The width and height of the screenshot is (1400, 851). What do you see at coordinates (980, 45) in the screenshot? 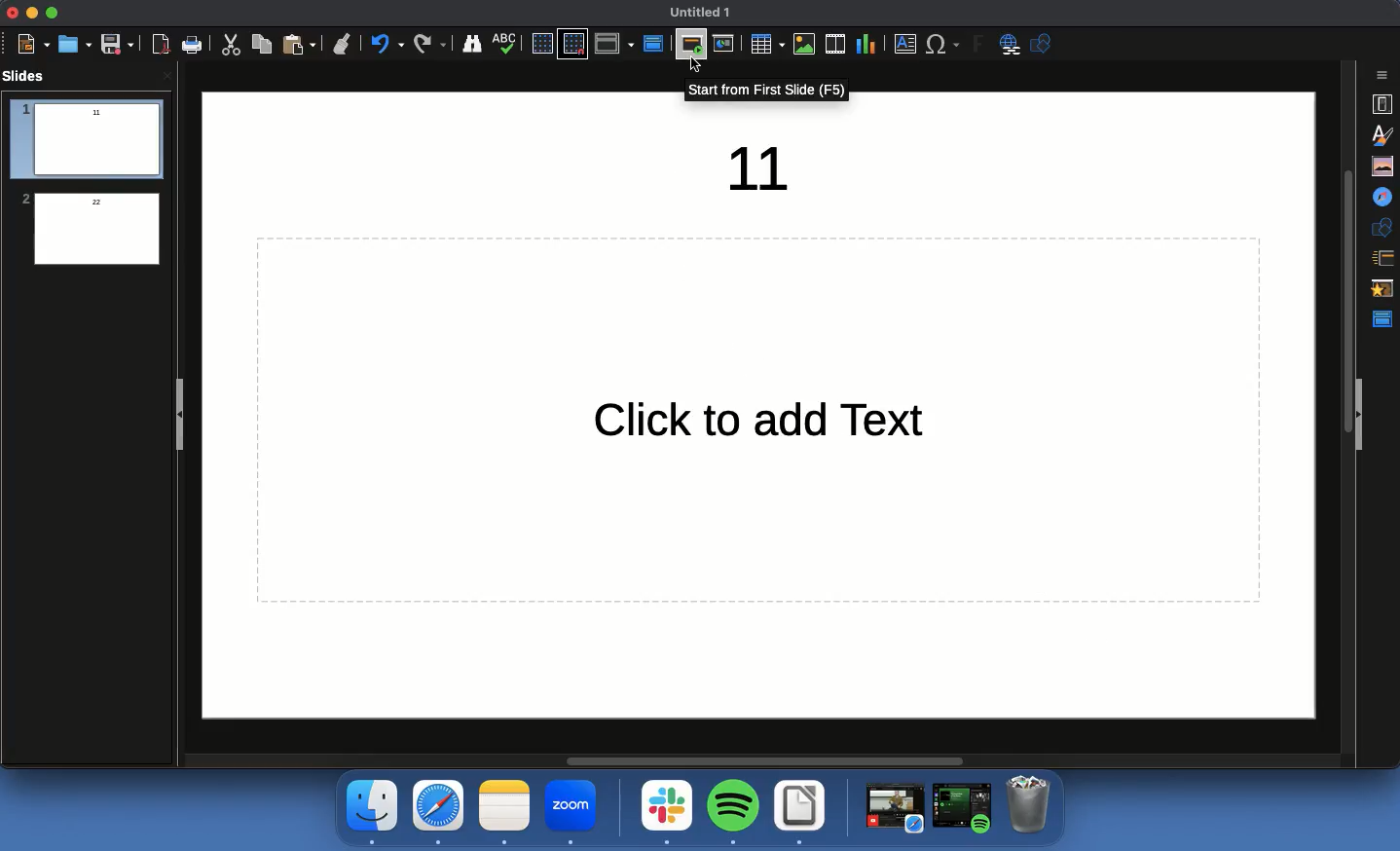
I see `Fontwork` at bounding box center [980, 45].